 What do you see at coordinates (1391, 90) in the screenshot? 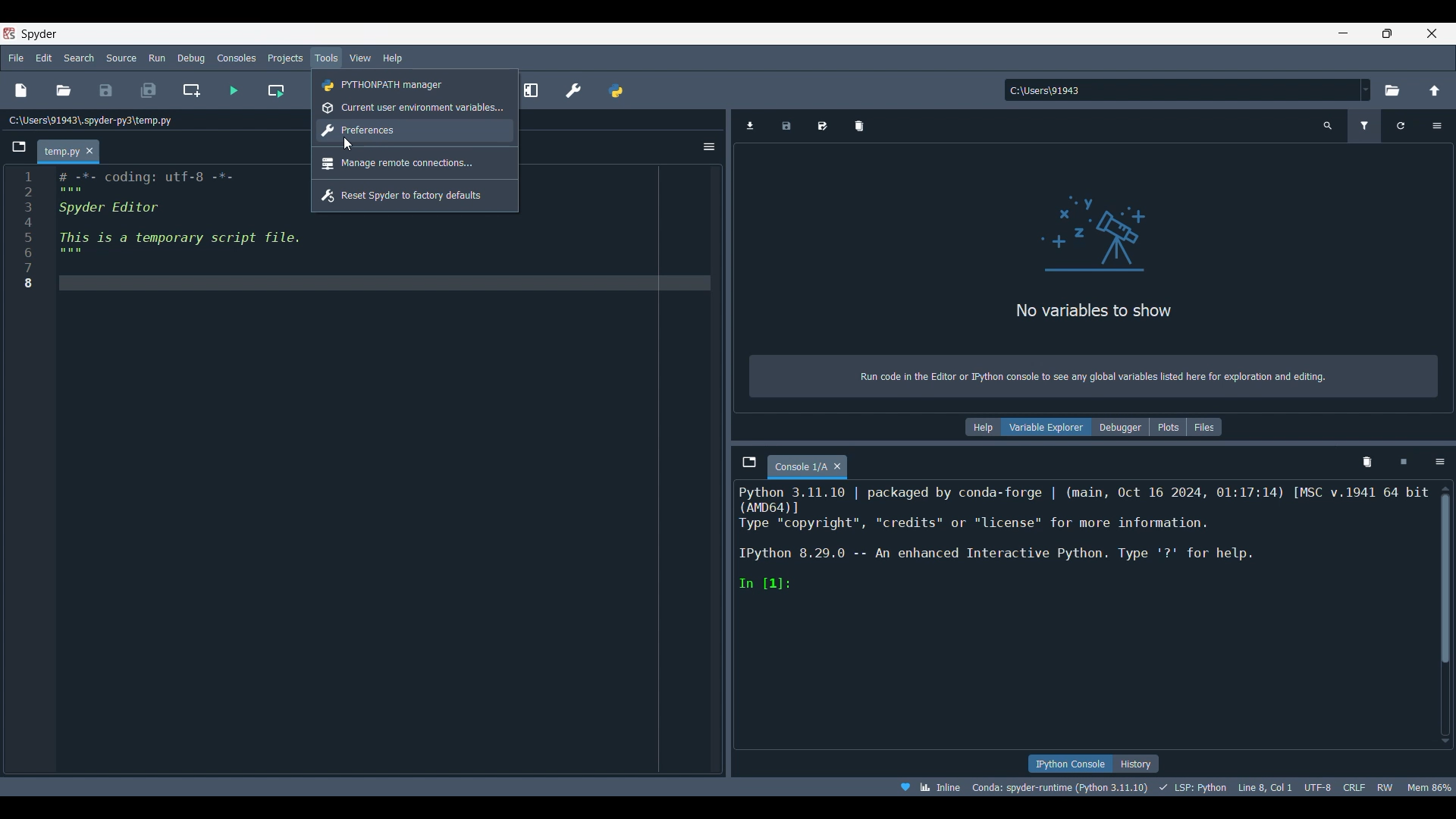
I see `Browse a working directory` at bounding box center [1391, 90].